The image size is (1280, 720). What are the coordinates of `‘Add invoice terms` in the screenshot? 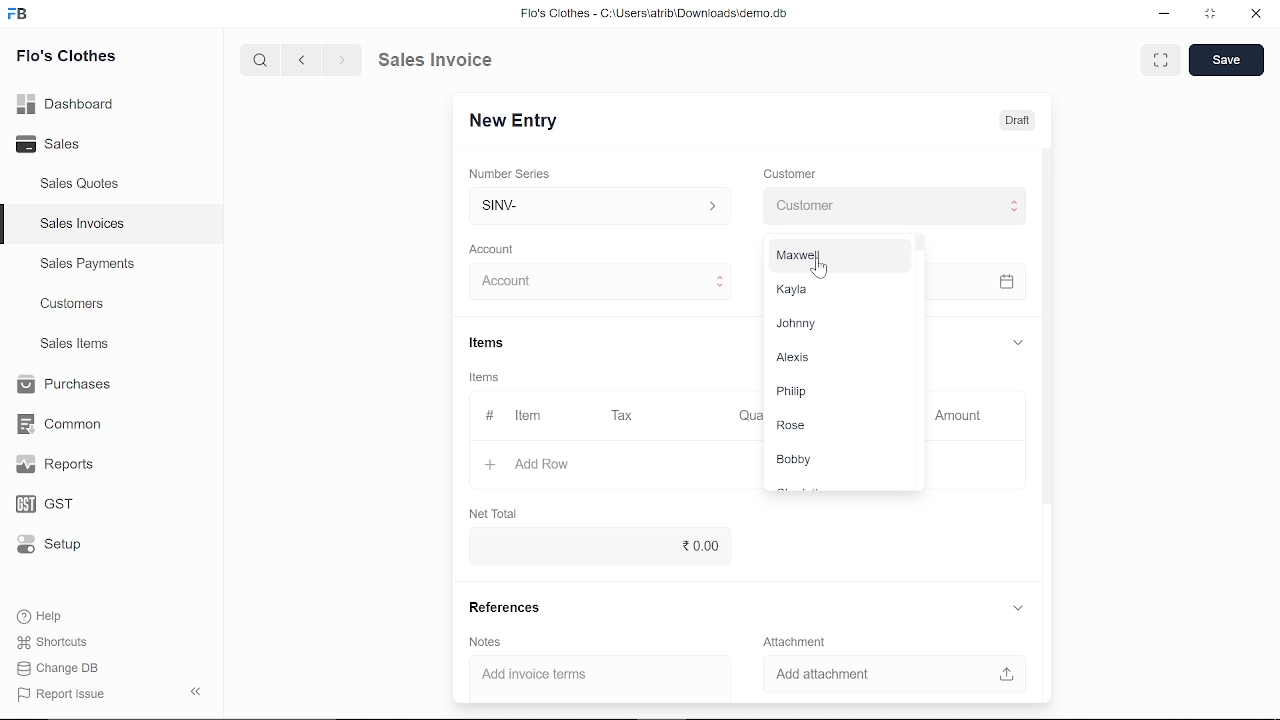 It's located at (584, 677).